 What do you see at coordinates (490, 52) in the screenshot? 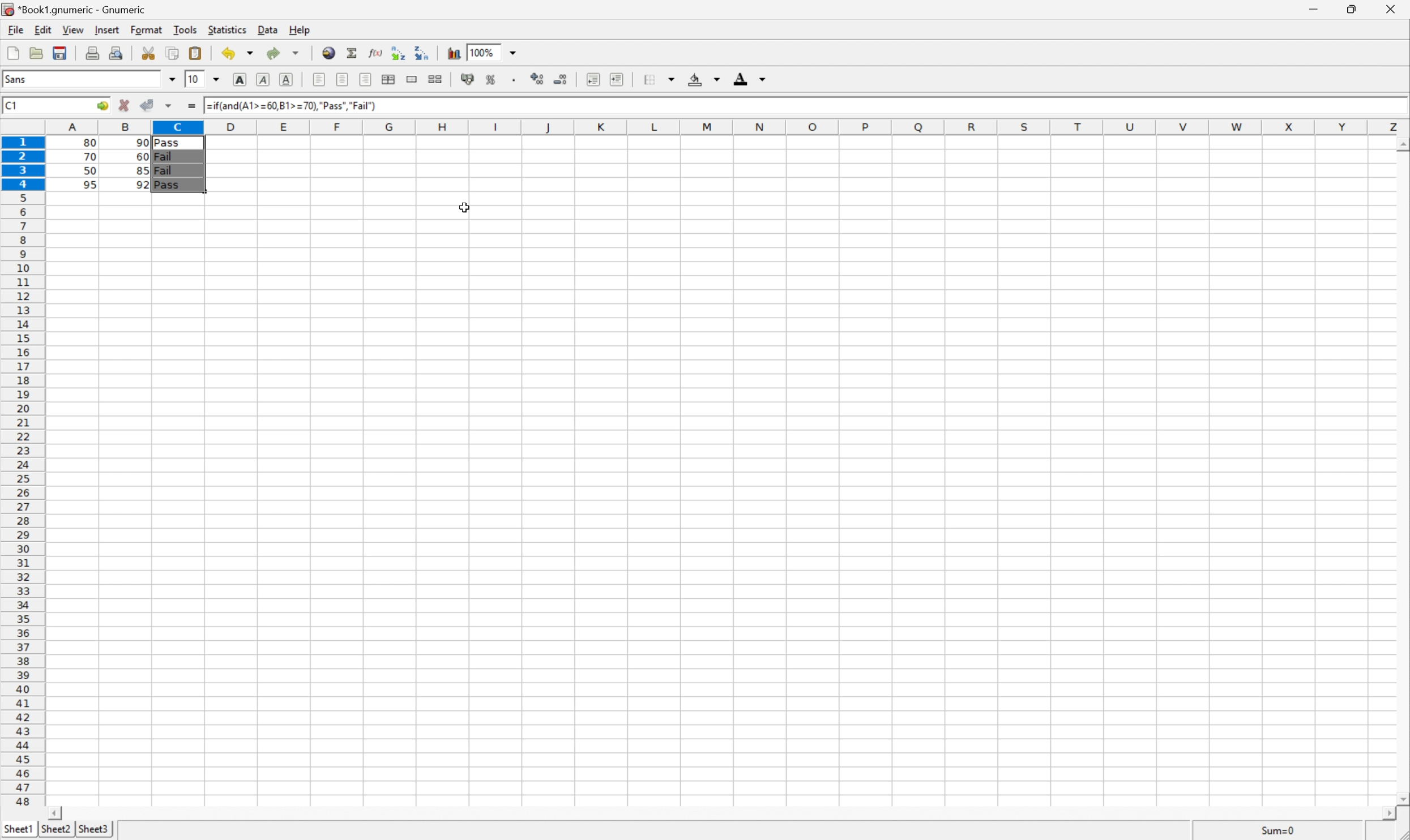
I see `100%` at bounding box center [490, 52].